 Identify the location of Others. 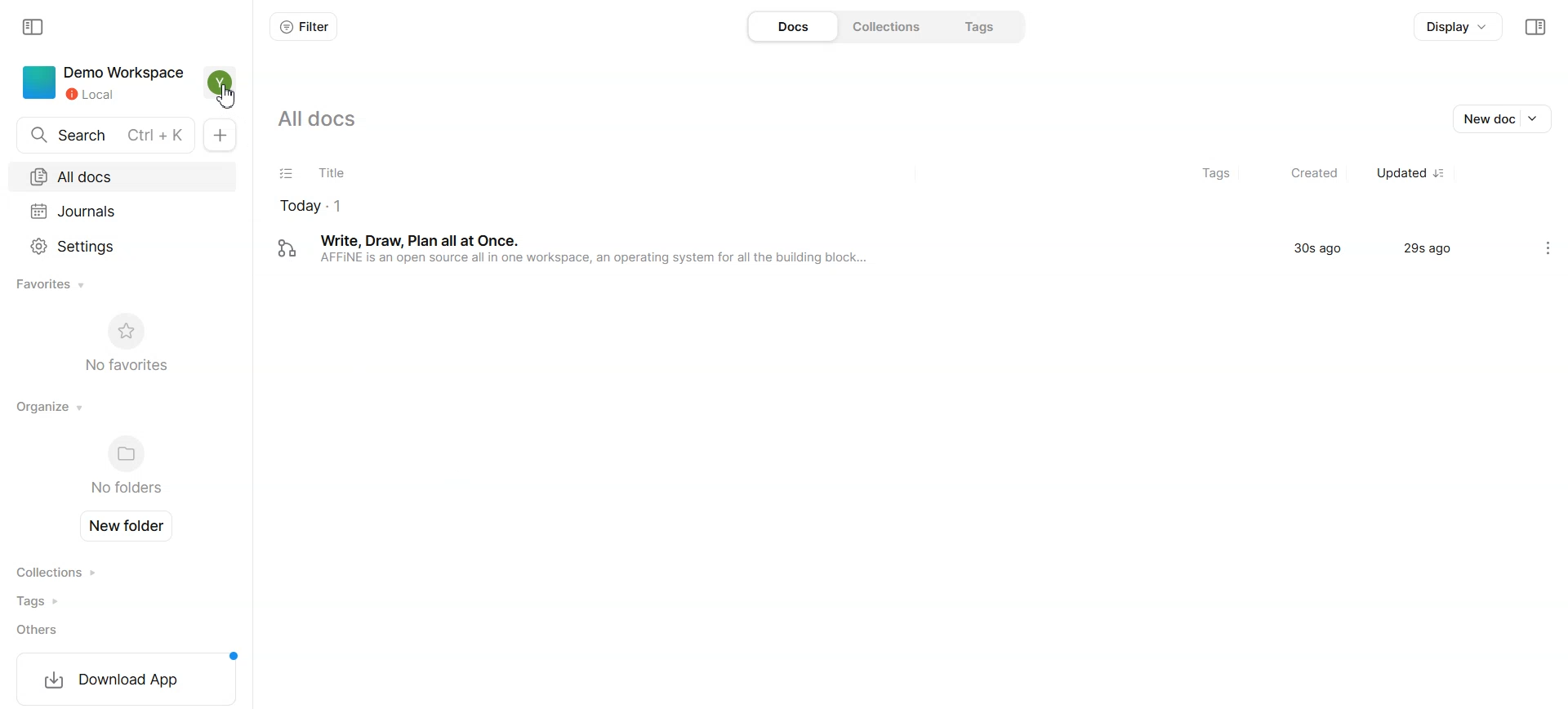
(64, 630).